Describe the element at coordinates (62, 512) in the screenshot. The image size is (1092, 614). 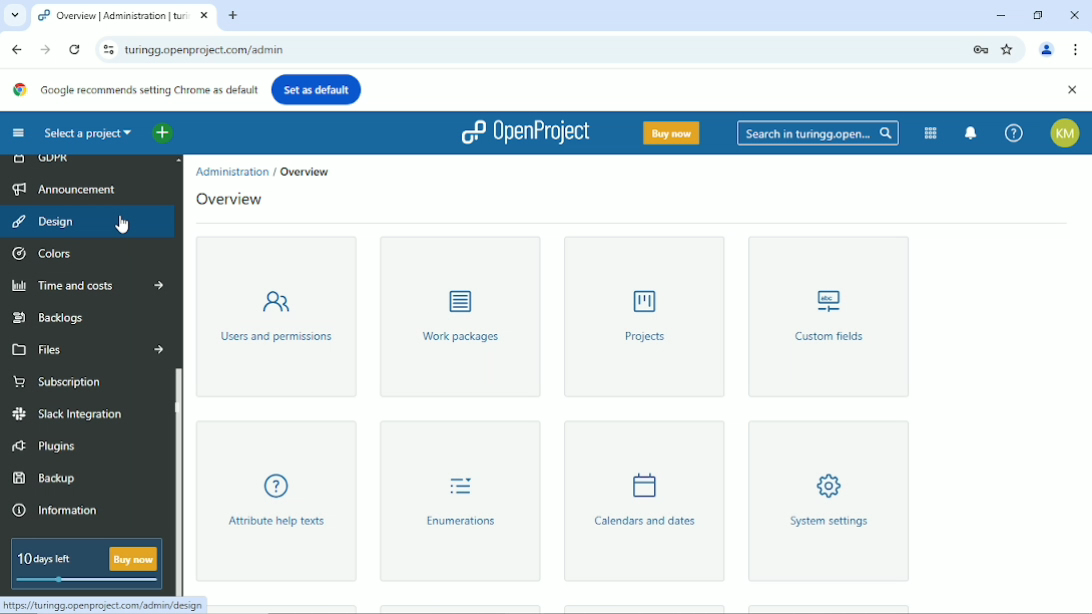
I see `Information` at that location.